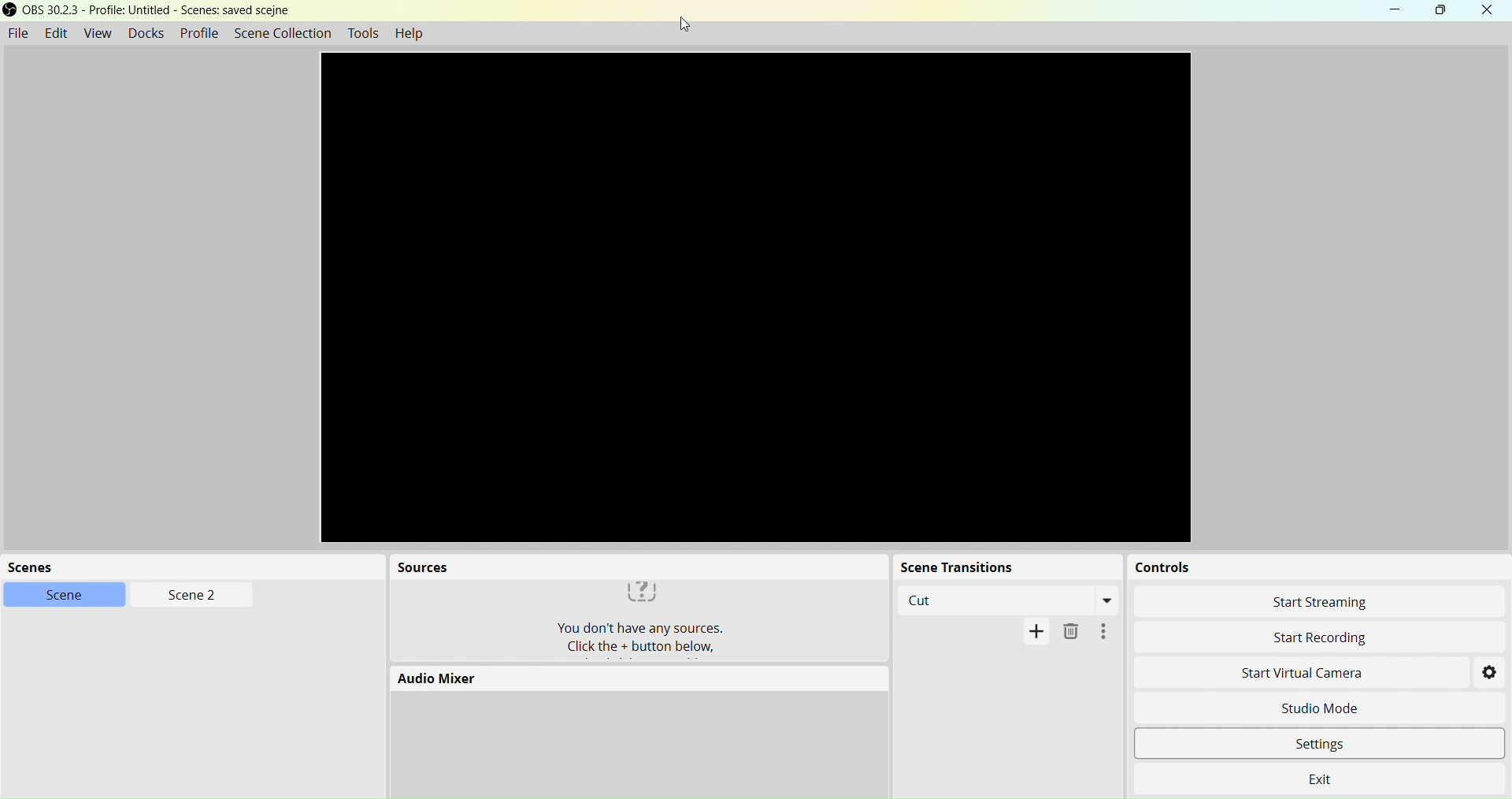 This screenshot has width=1512, height=799. I want to click on Audio mixer, so click(629, 678).